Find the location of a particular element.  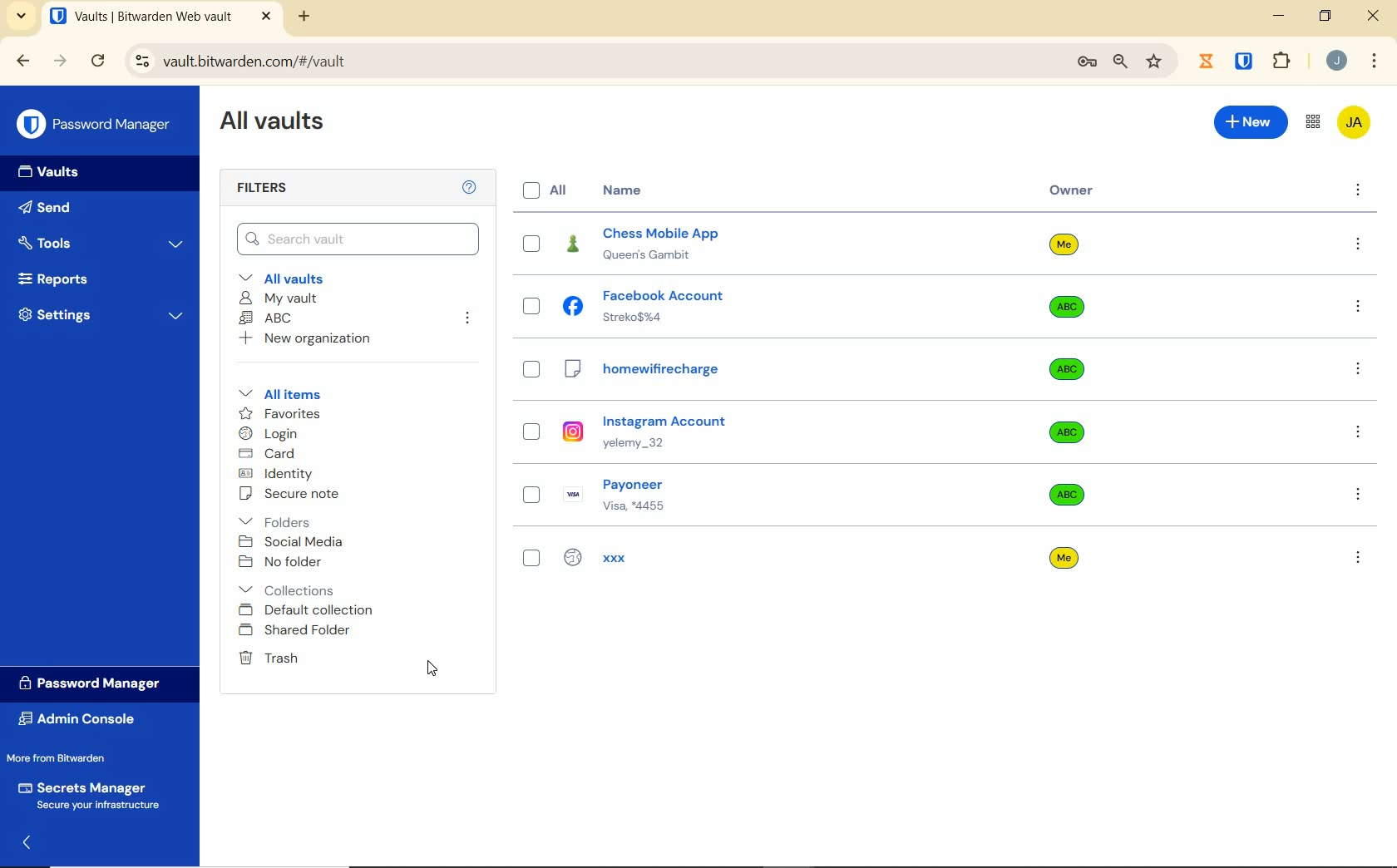

My Vault is located at coordinates (283, 298).